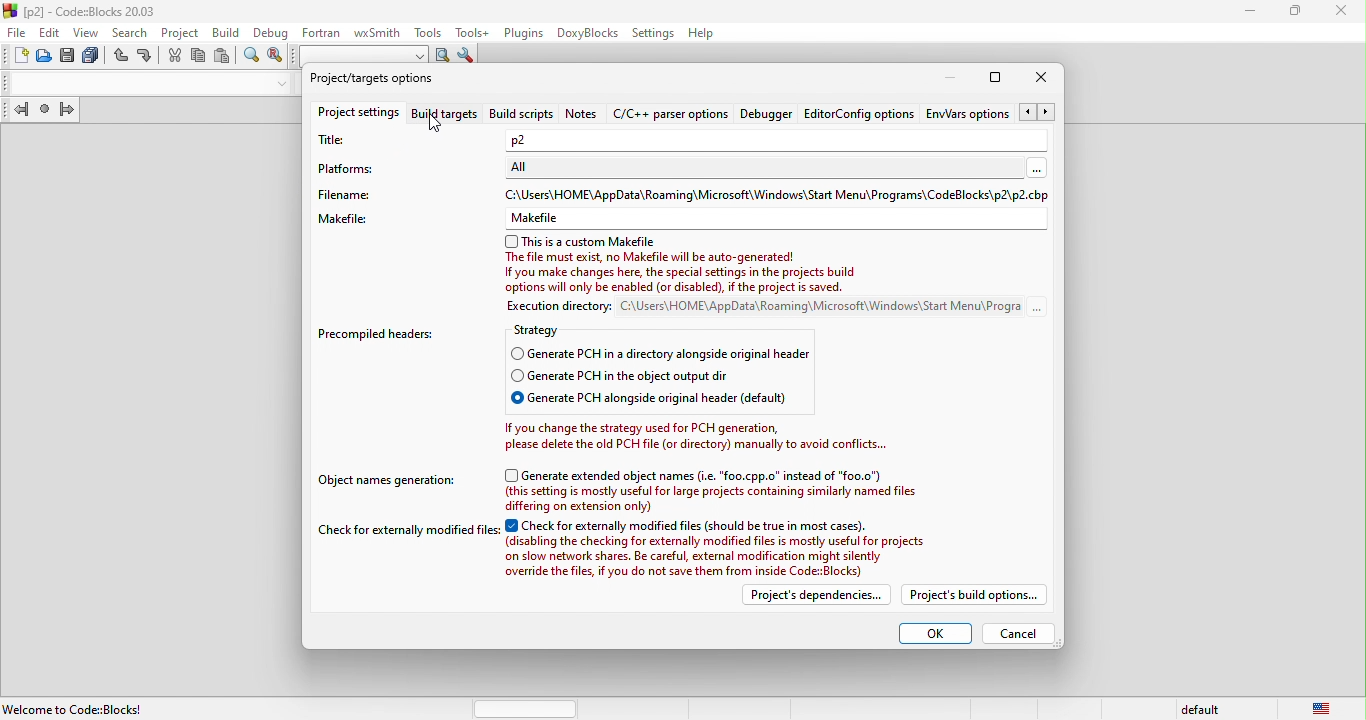 Image resolution: width=1366 pixels, height=720 pixels. Describe the element at coordinates (89, 32) in the screenshot. I see `view` at that location.